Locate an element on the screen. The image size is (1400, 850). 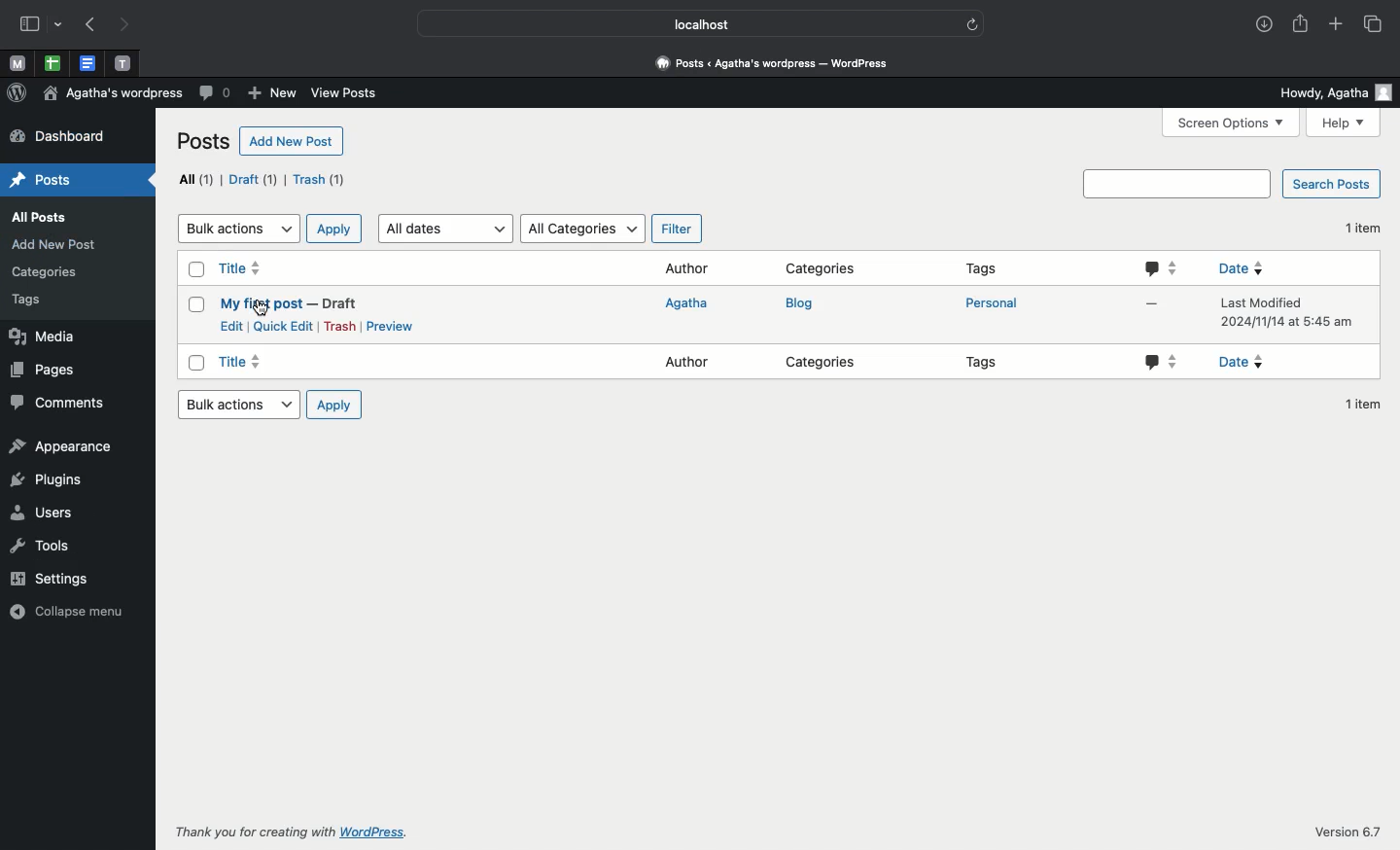
Posts is located at coordinates (200, 141).